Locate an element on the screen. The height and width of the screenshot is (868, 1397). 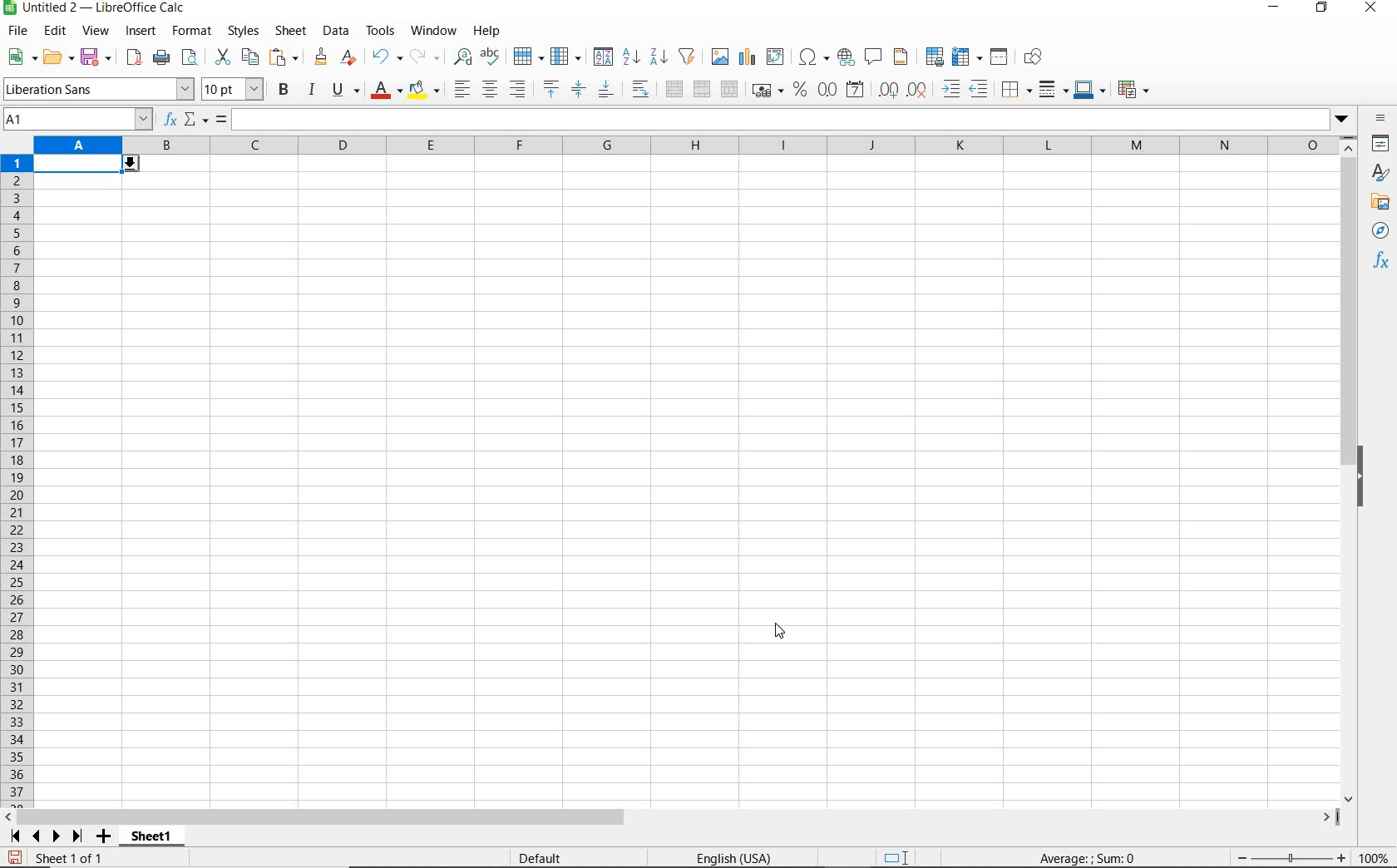
new is located at coordinates (22, 57).